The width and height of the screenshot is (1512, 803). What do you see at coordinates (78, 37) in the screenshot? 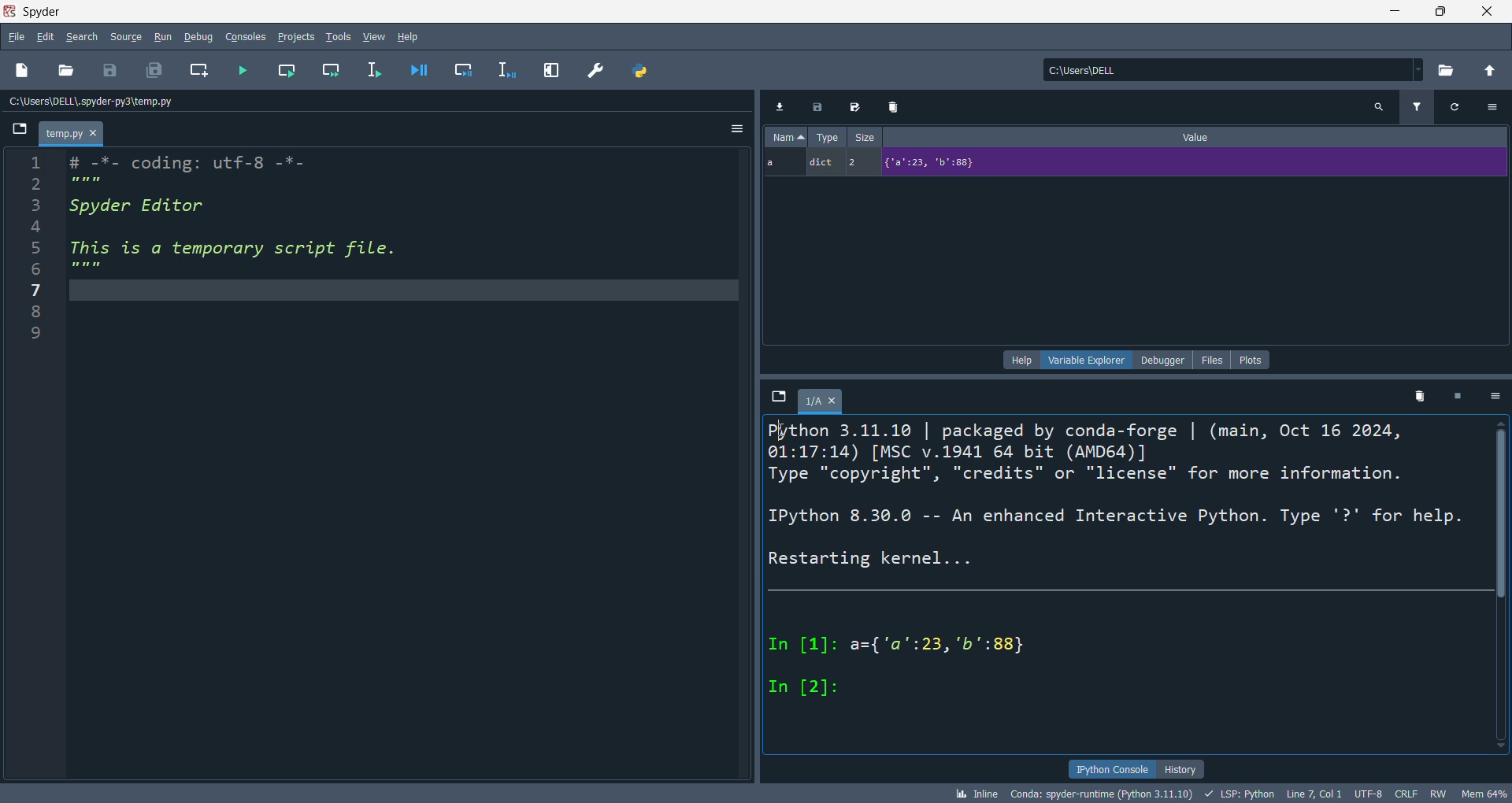
I see `search` at bounding box center [78, 37].